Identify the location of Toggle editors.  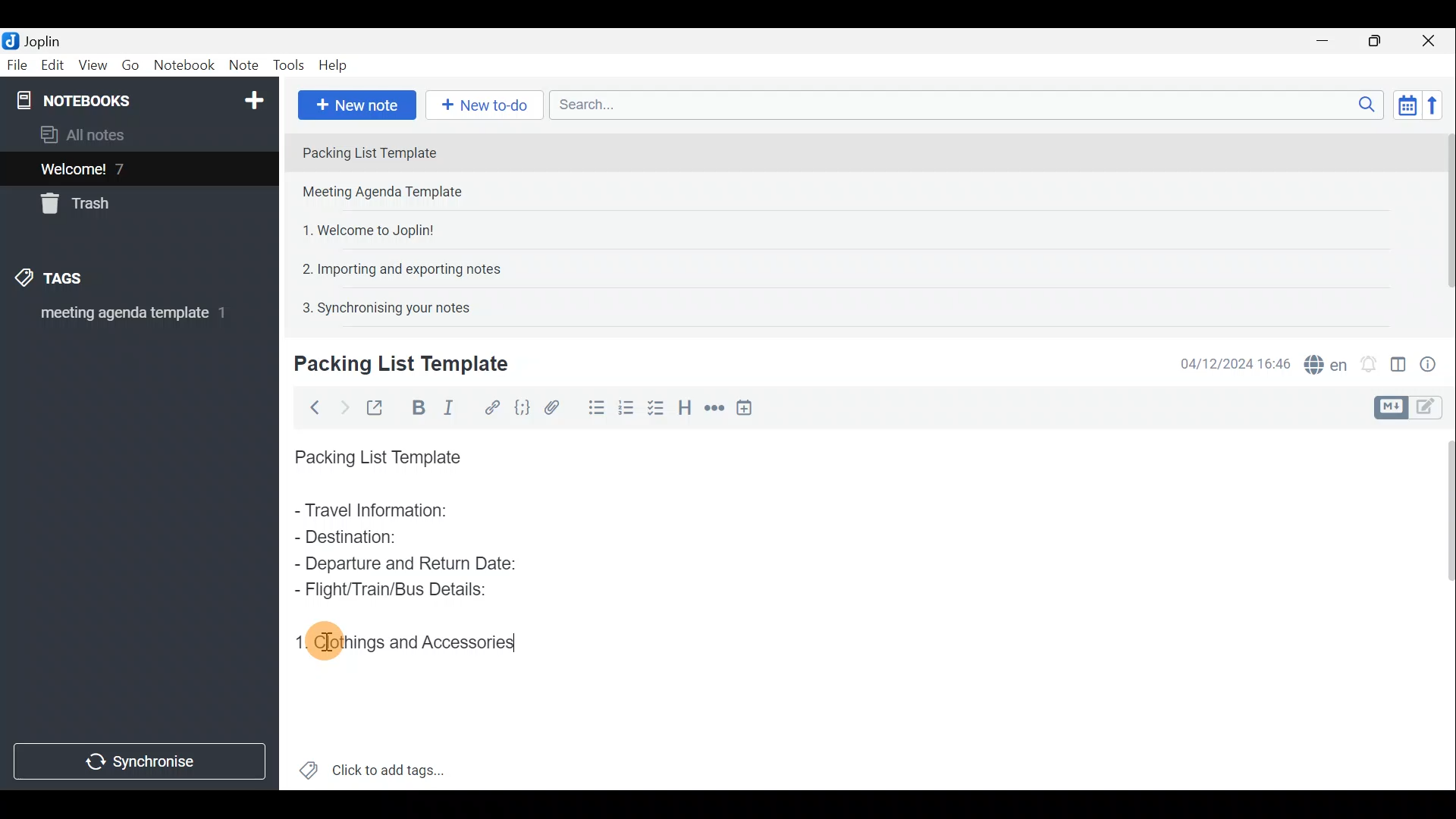
(1393, 406).